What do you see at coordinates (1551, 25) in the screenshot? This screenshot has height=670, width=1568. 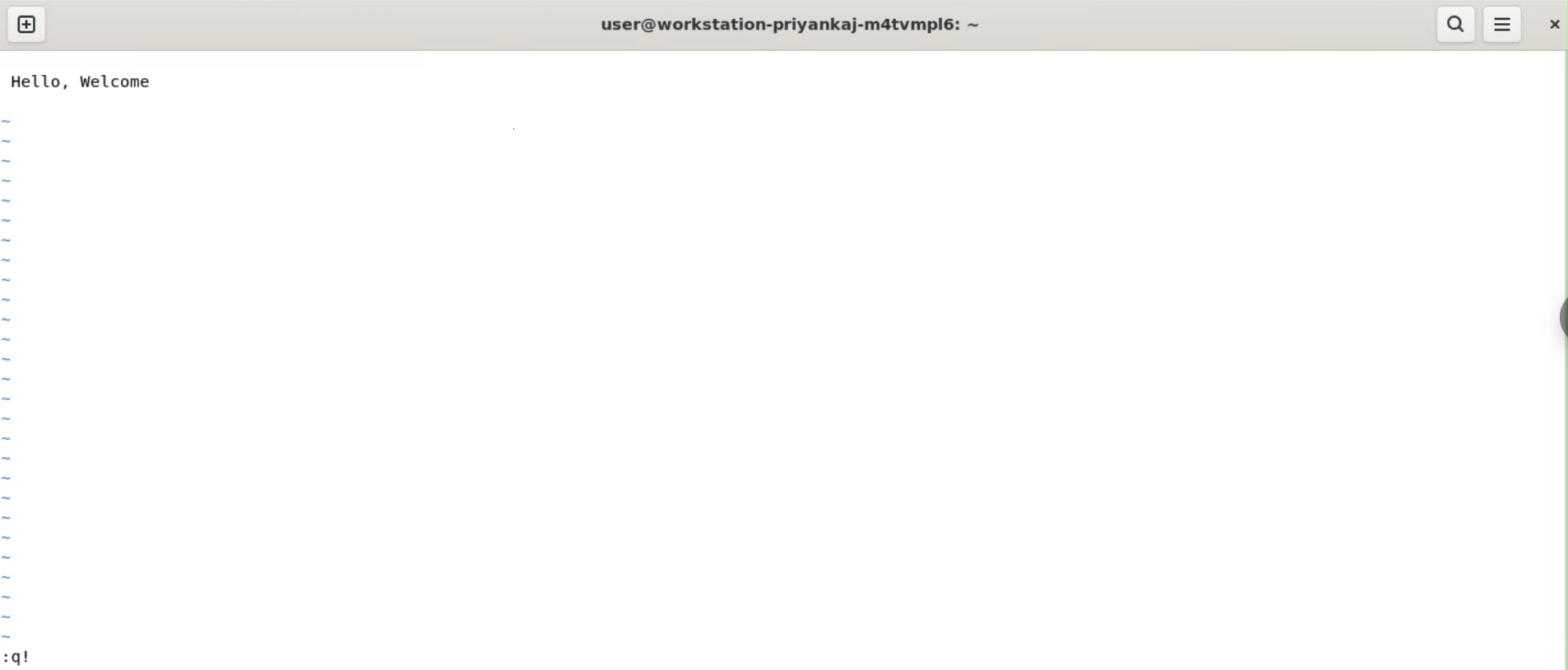 I see `close` at bounding box center [1551, 25].